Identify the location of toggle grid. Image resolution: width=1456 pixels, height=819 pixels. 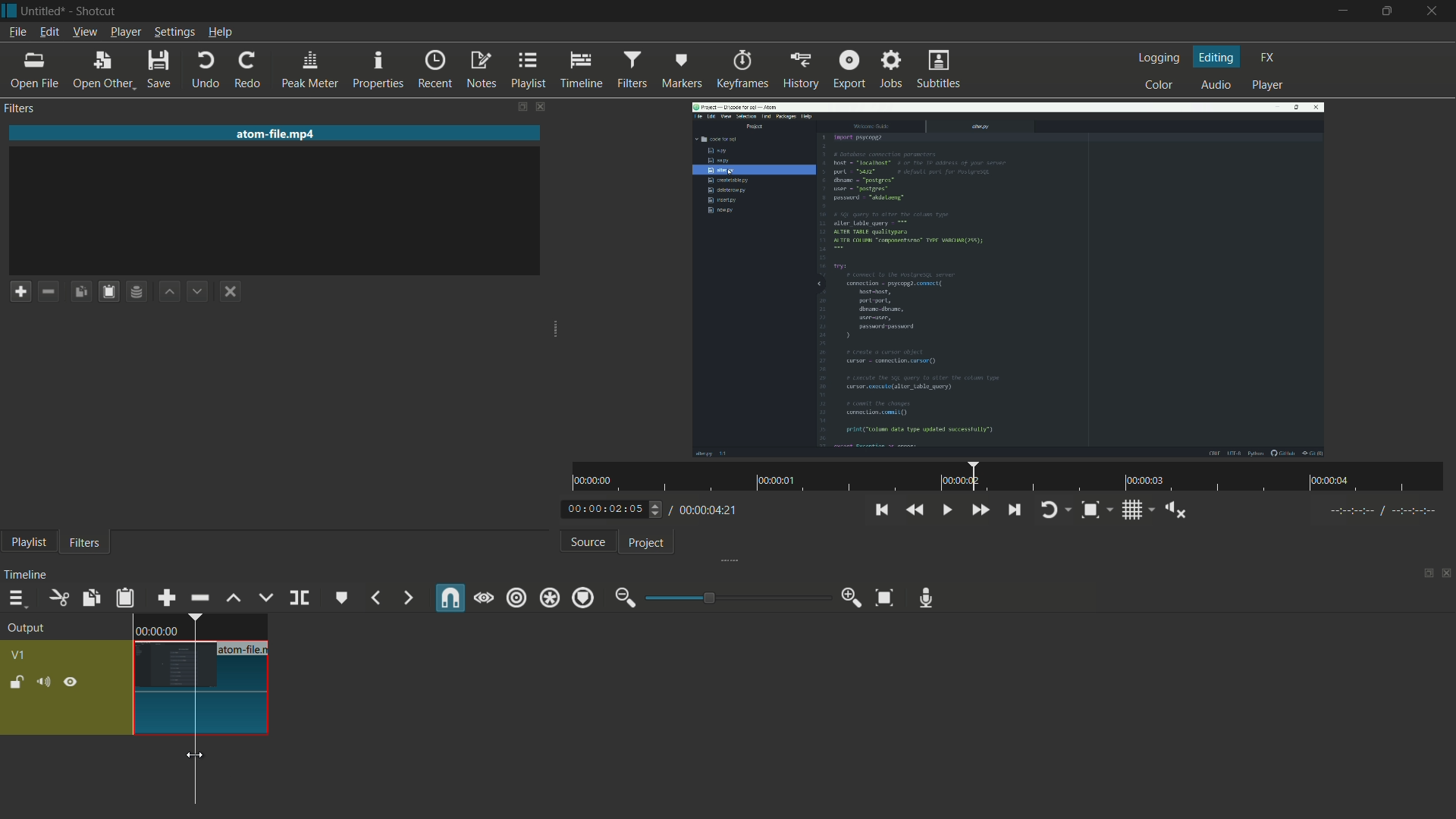
(1134, 510).